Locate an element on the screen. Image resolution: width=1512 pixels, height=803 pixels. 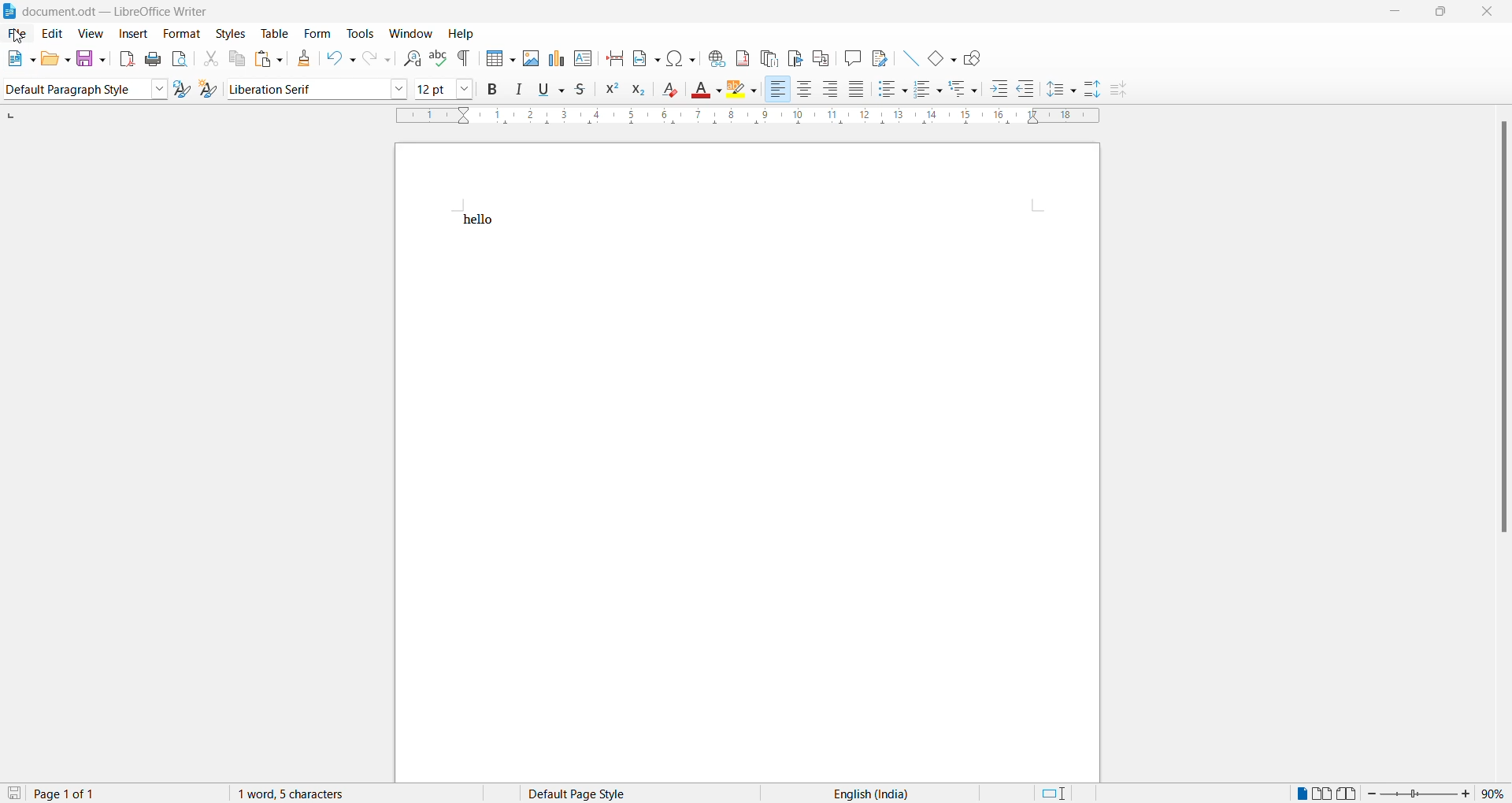
1 word, 5 characters is located at coordinates (329, 794).